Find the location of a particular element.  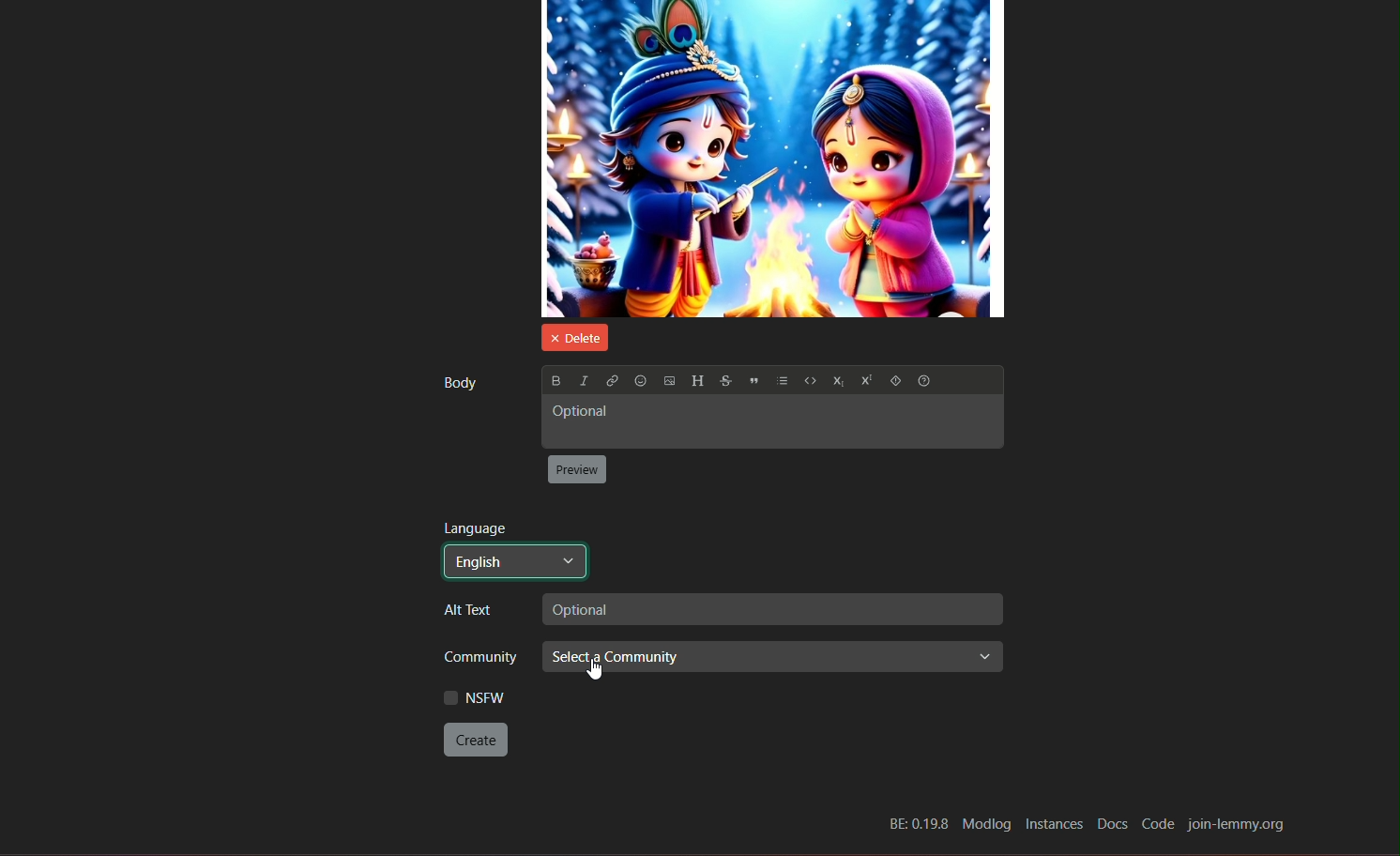

link is located at coordinates (611, 381).